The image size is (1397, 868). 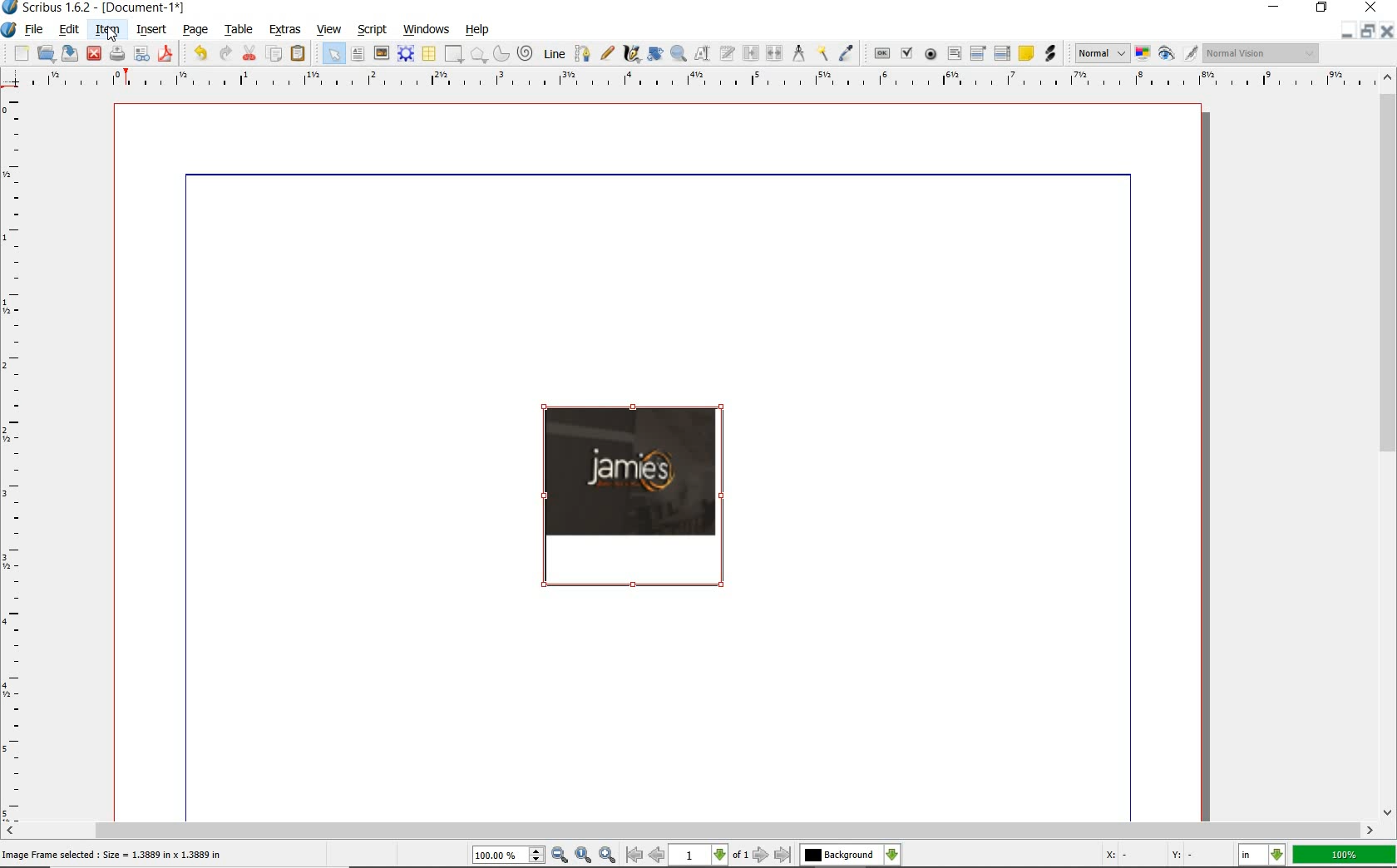 I want to click on polygon, so click(x=479, y=54).